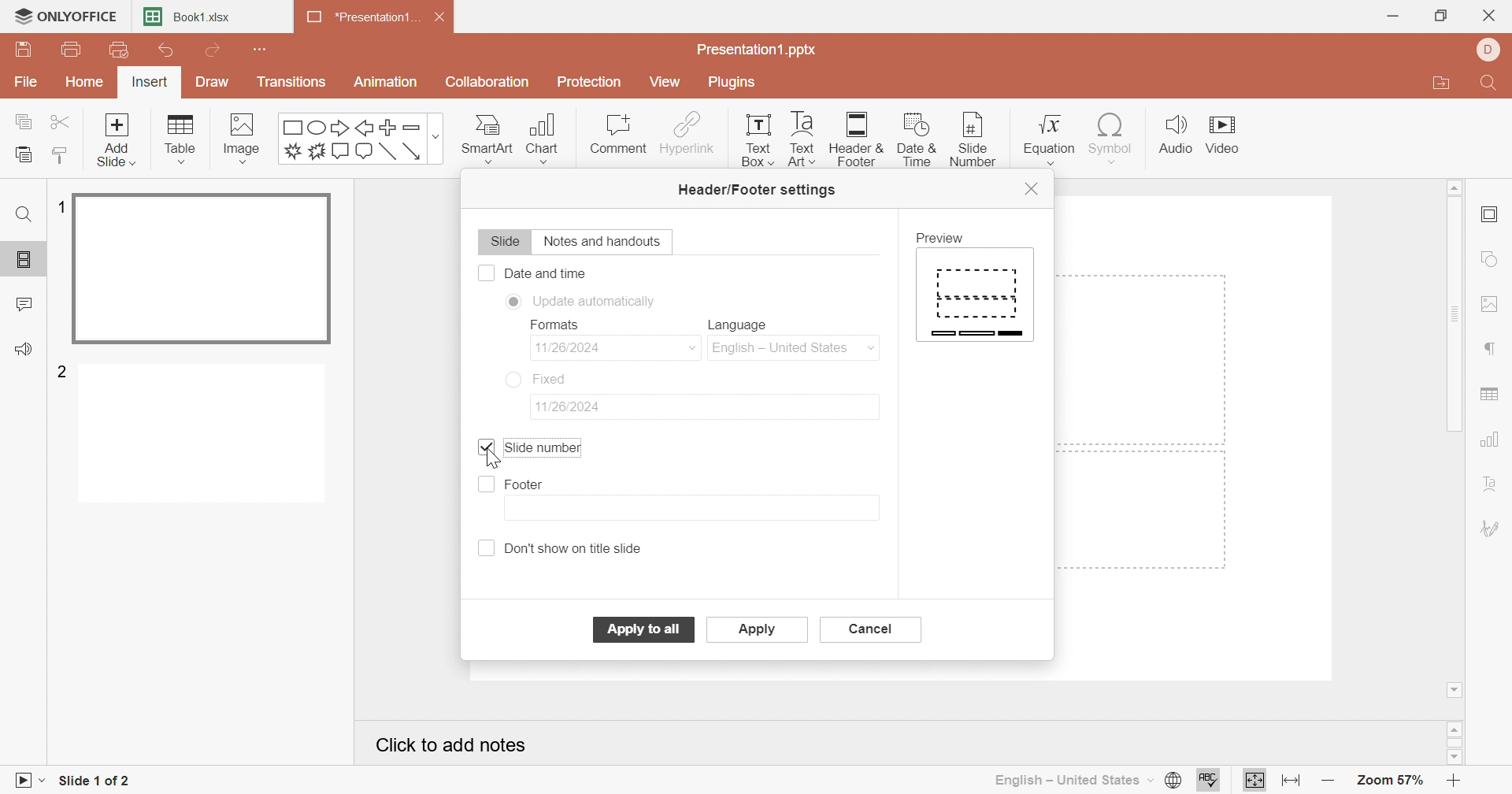  What do you see at coordinates (1491, 528) in the screenshot?
I see `Signature settings` at bounding box center [1491, 528].